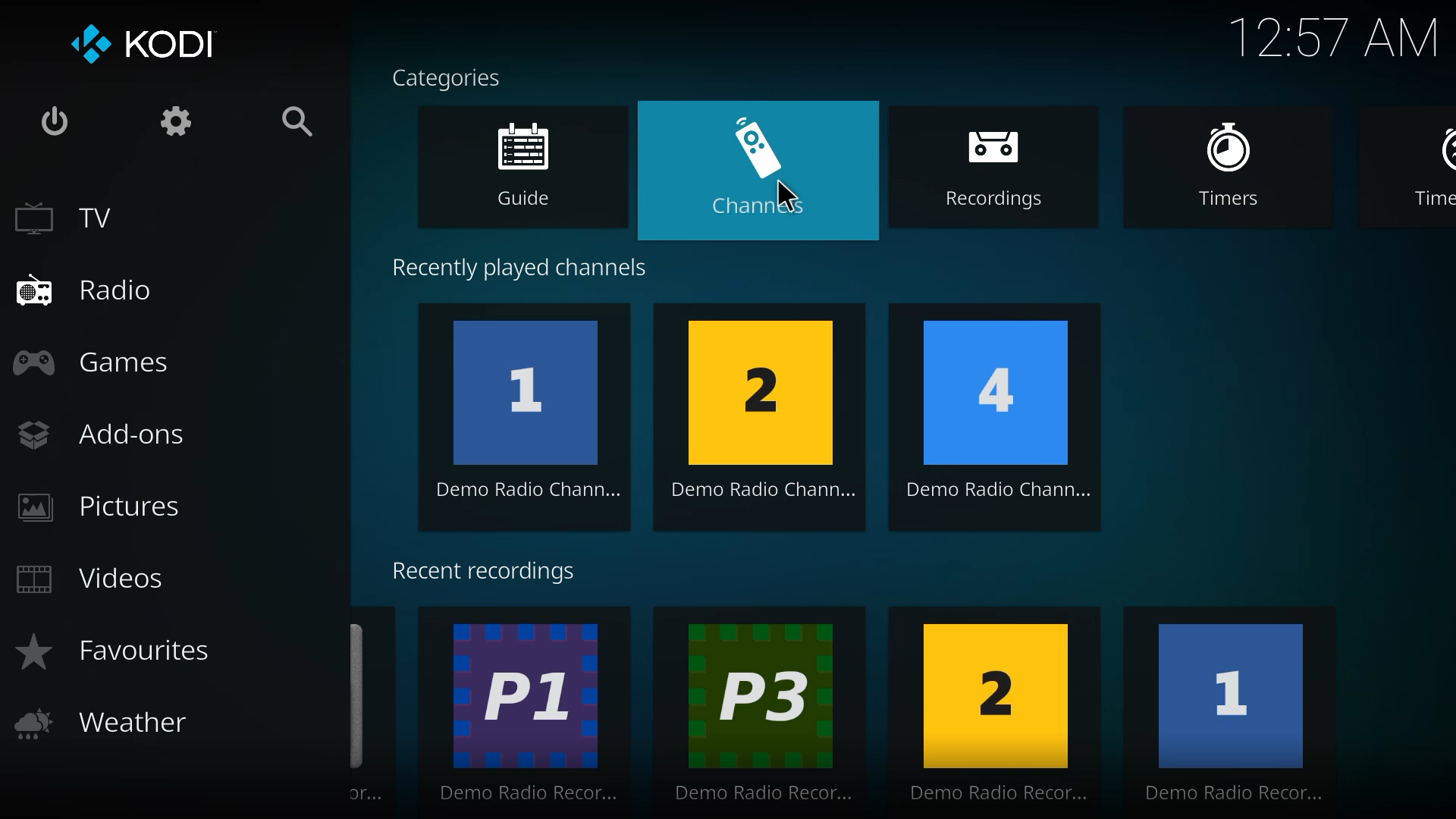 Image resolution: width=1456 pixels, height=819 pixels. What do you see at coordinates (999, 709) in the screenshot?
I see `2 Demo Radio Recor...` at bounding box center [999, 709].